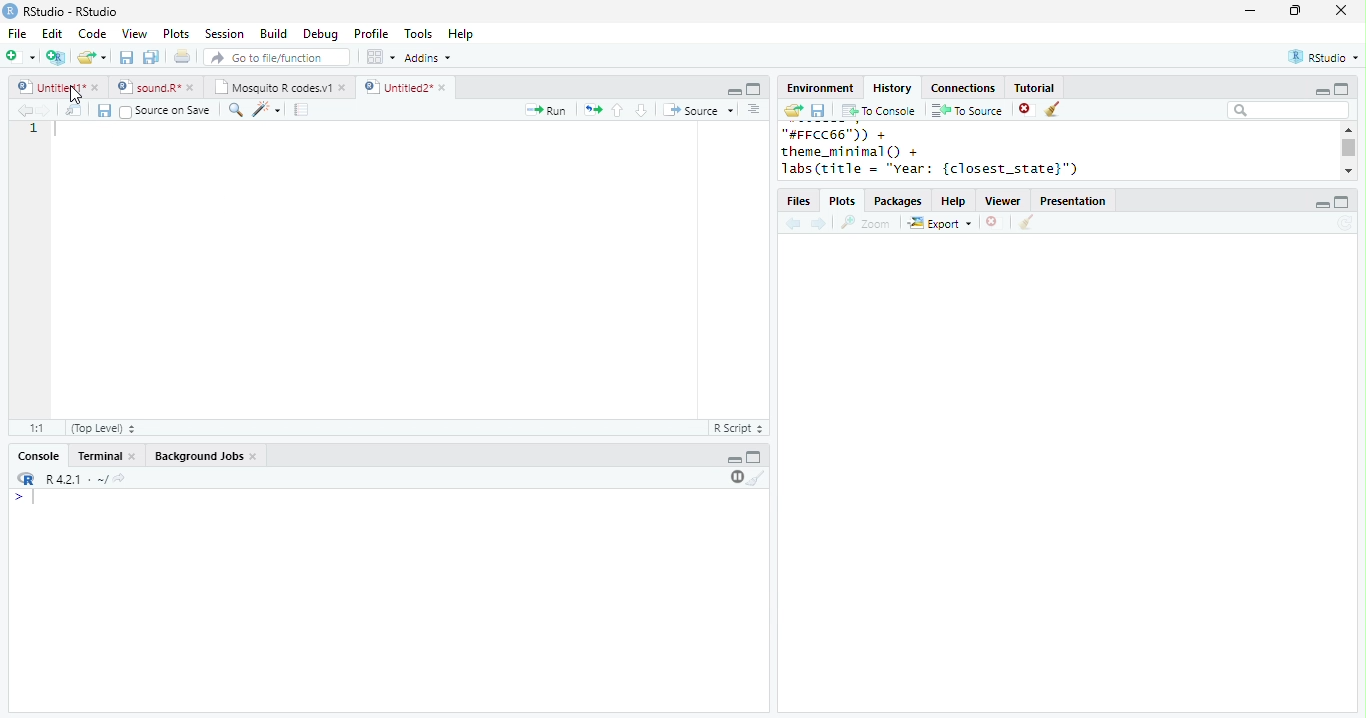  Describe the element at coordinates (1027, 110) in the screenshot. I see `close file` at that location.